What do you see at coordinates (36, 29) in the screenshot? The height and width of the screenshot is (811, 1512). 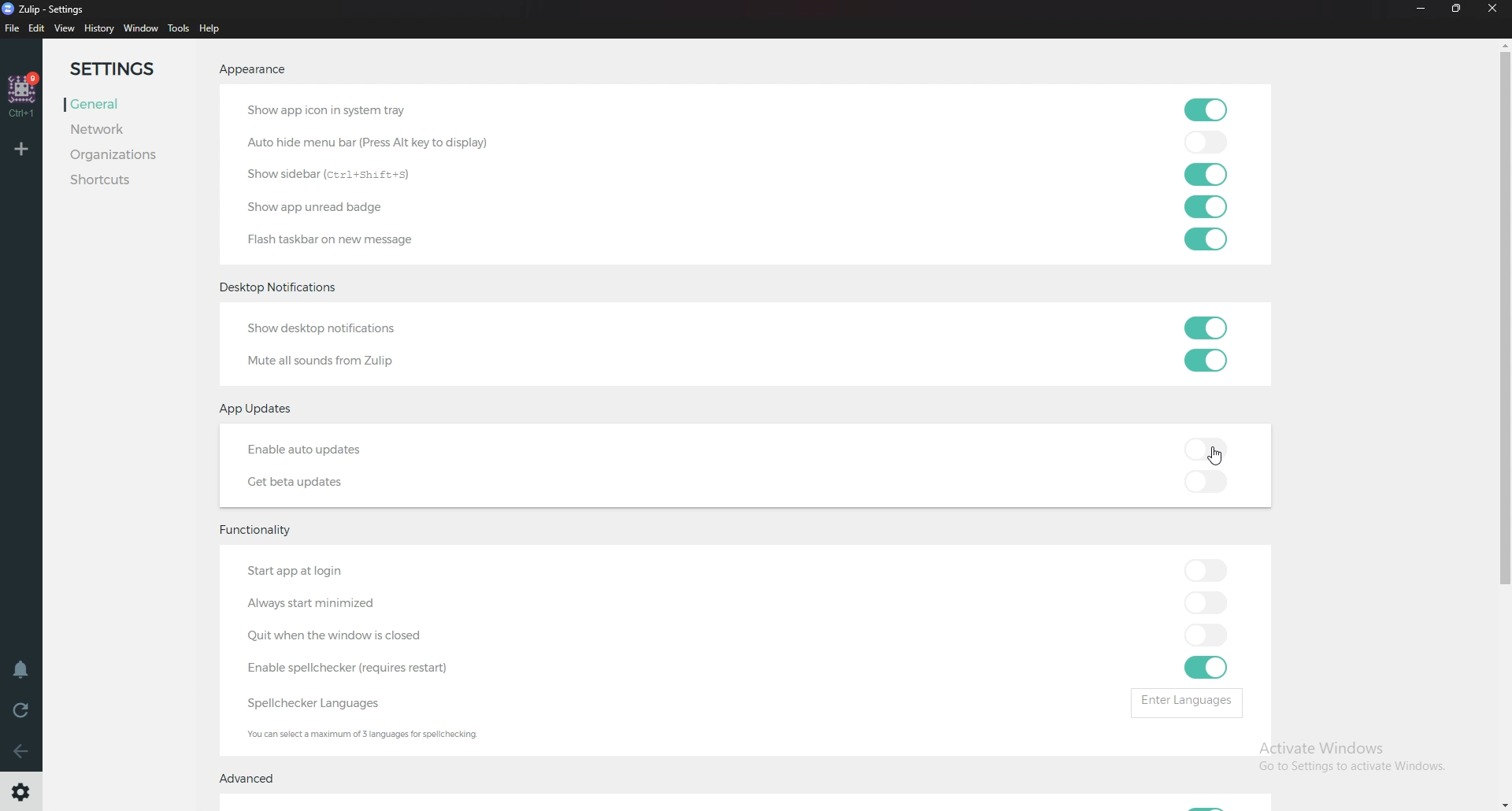 I see `Edit` at bounding box center [36, 29].